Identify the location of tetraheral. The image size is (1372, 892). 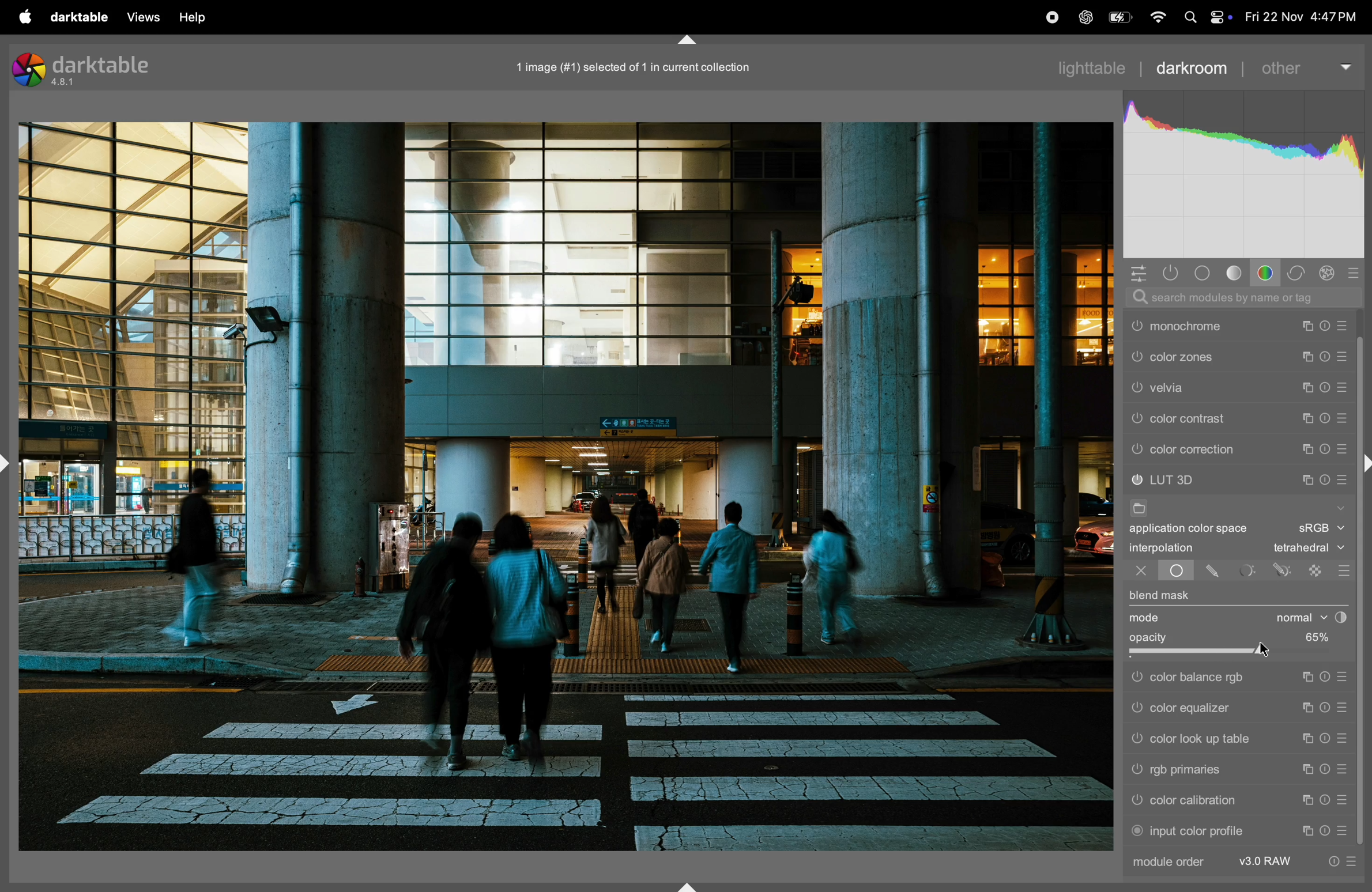
(1305, 549).